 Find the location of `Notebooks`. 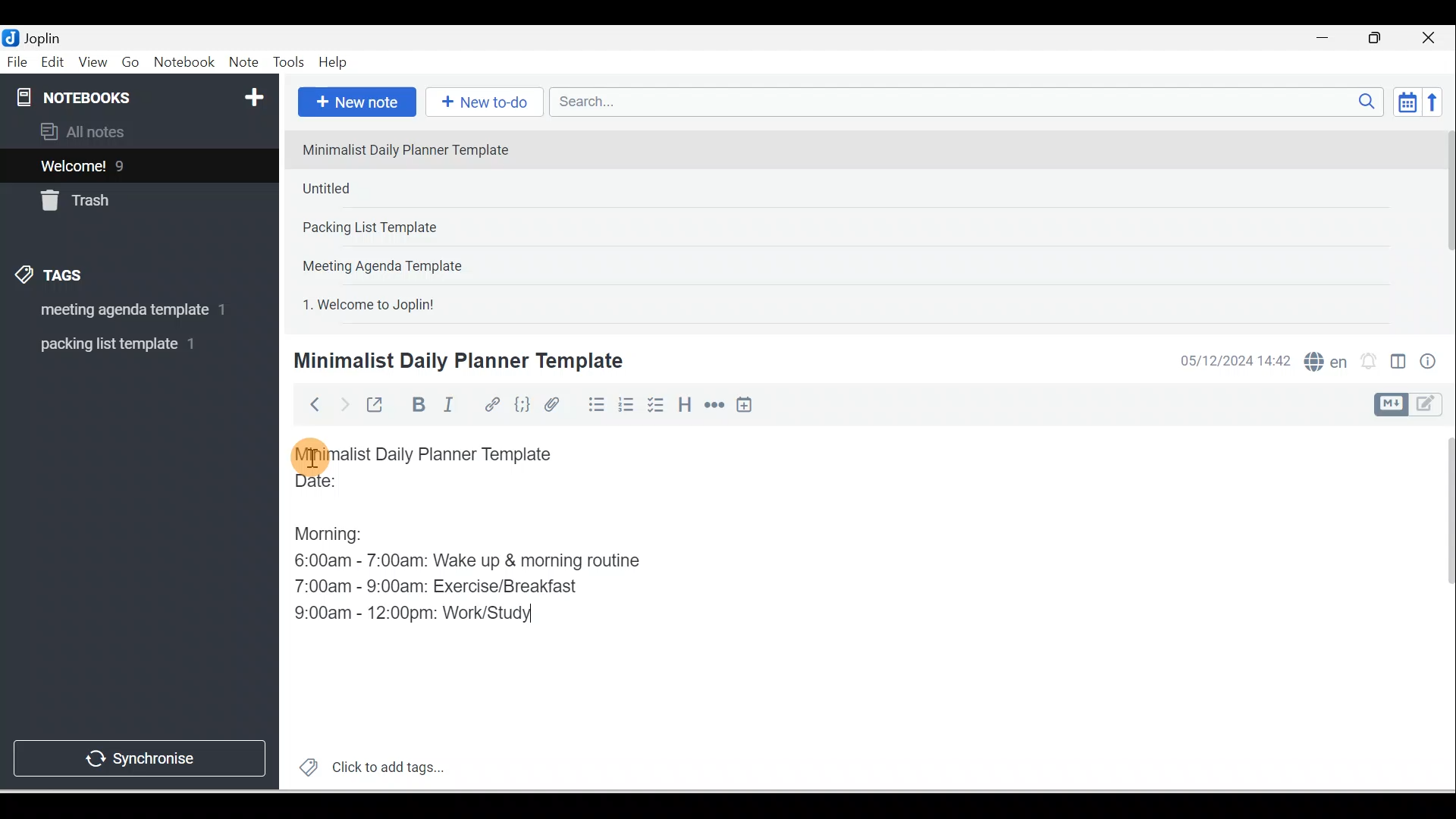

Notebooks is located at coordinates (143, 94).